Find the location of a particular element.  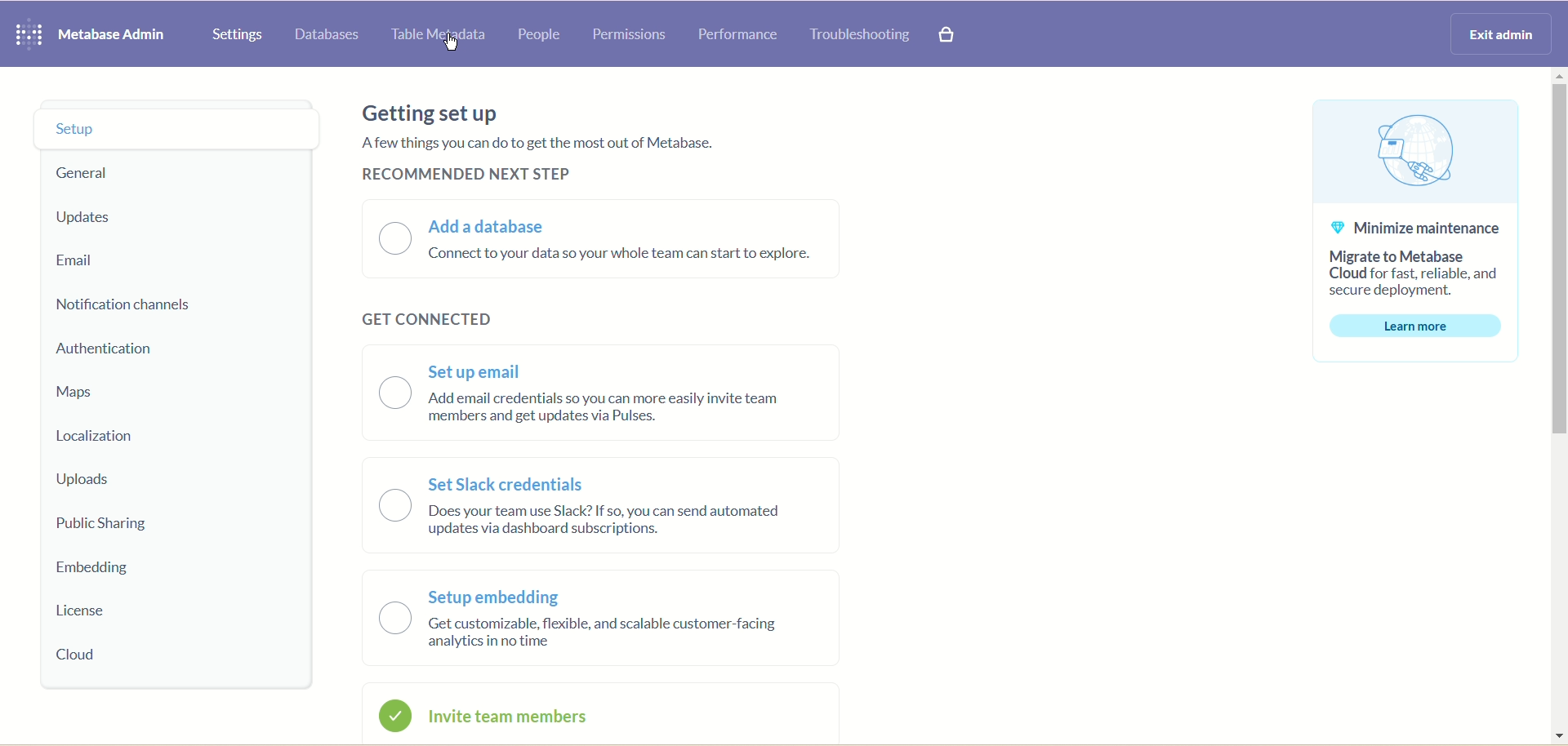

cursor is located at coordinates (454, 46).